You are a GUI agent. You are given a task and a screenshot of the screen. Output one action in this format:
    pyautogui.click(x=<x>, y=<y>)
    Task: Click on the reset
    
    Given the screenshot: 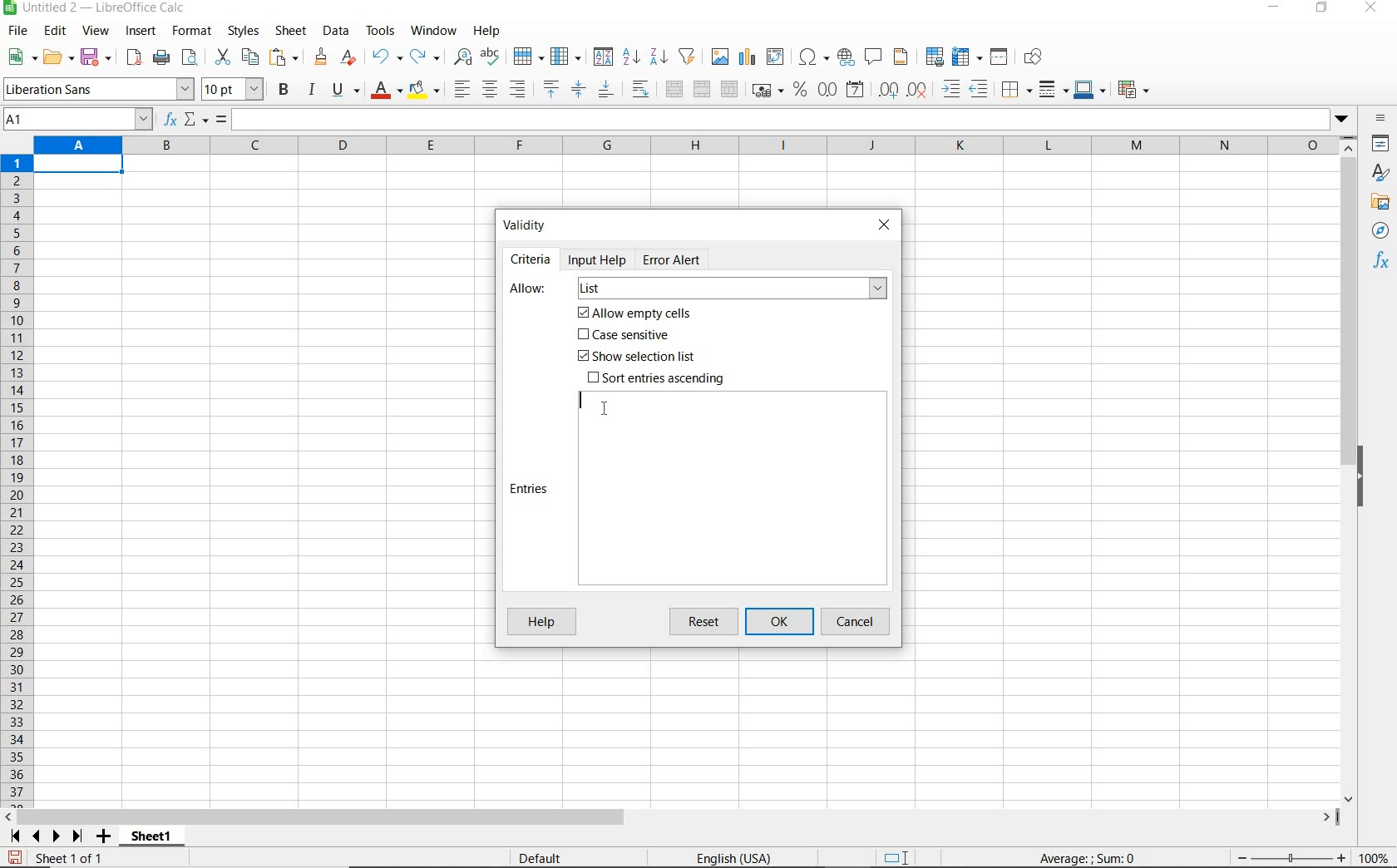 What is the action you would take?
    pyautogui.click(x=707, y=622)
    